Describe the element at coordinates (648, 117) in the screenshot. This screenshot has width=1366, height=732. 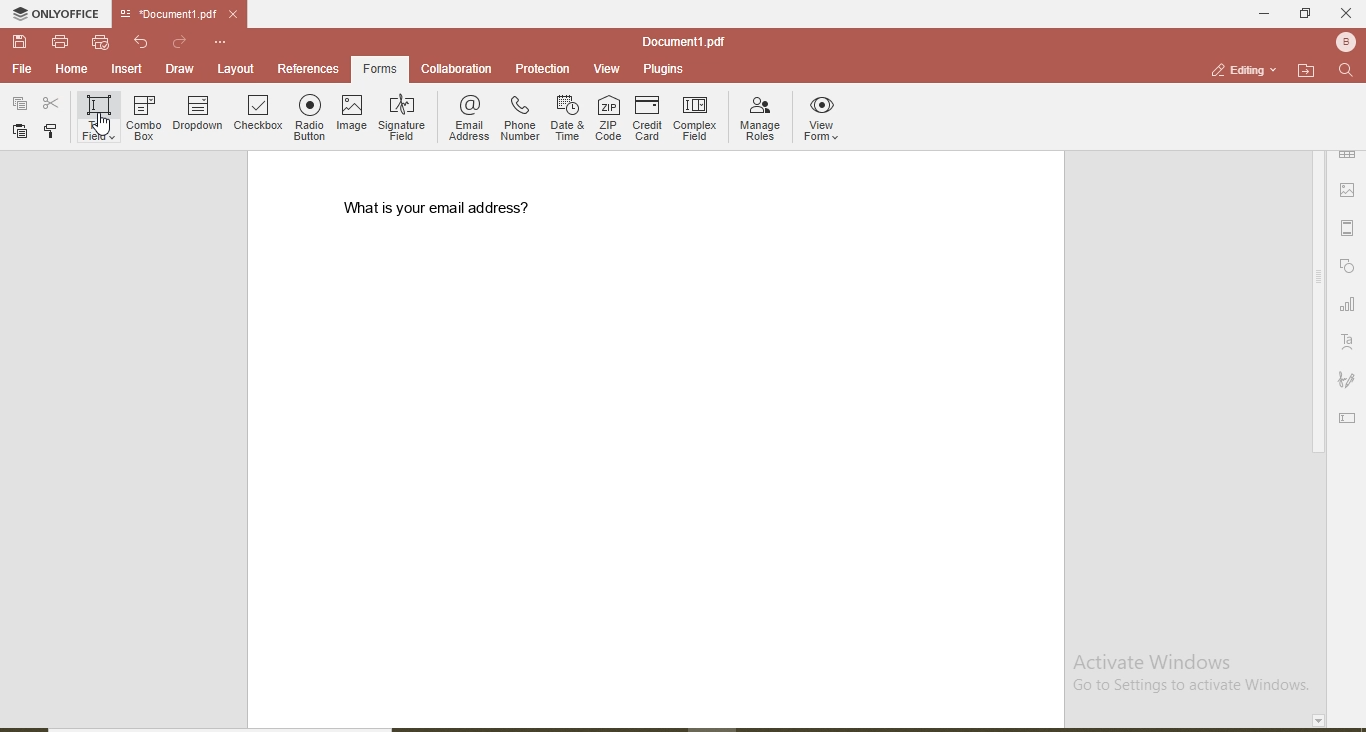
I see `credit card` at that location.